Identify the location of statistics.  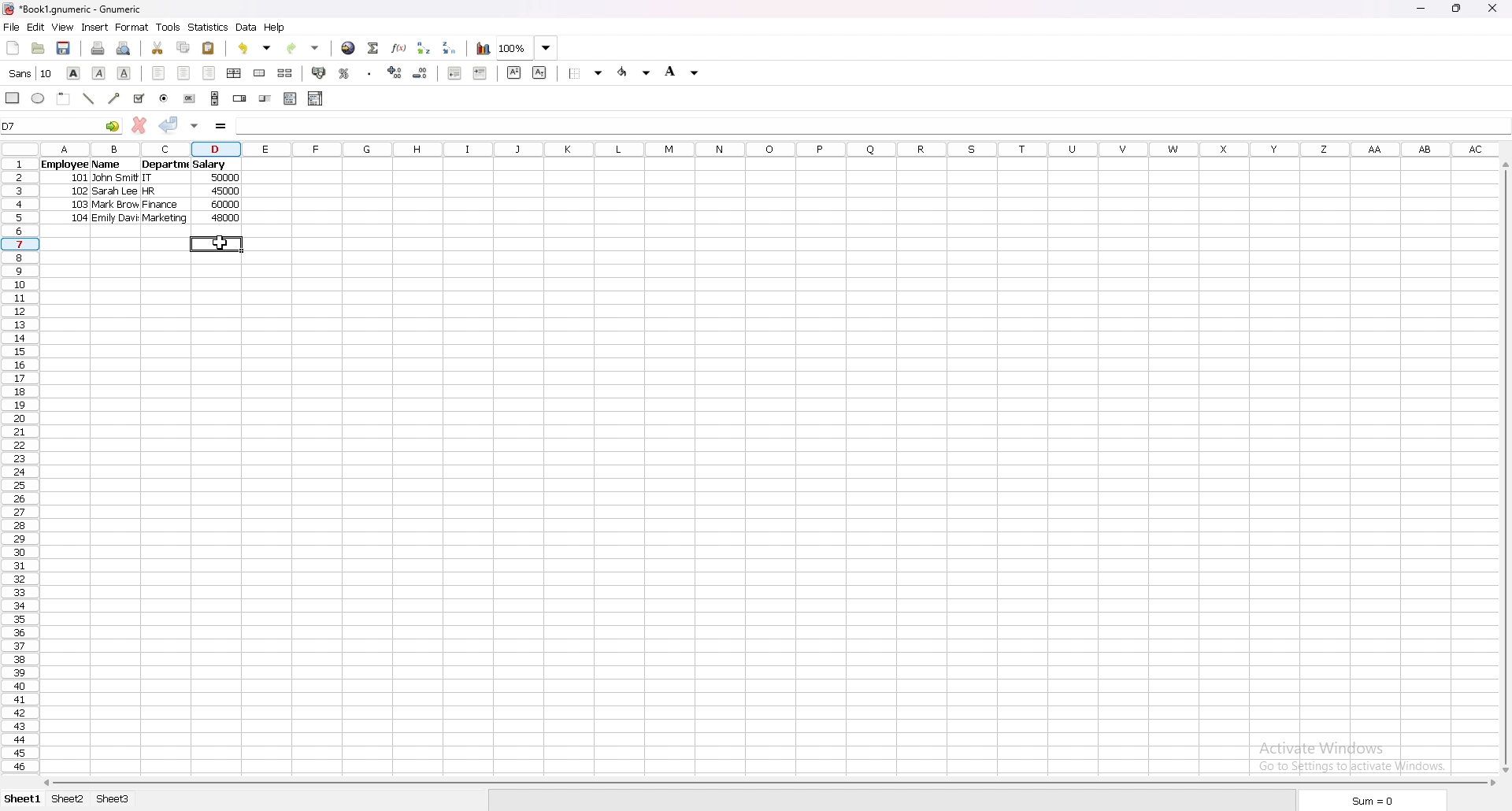
(208, 28).